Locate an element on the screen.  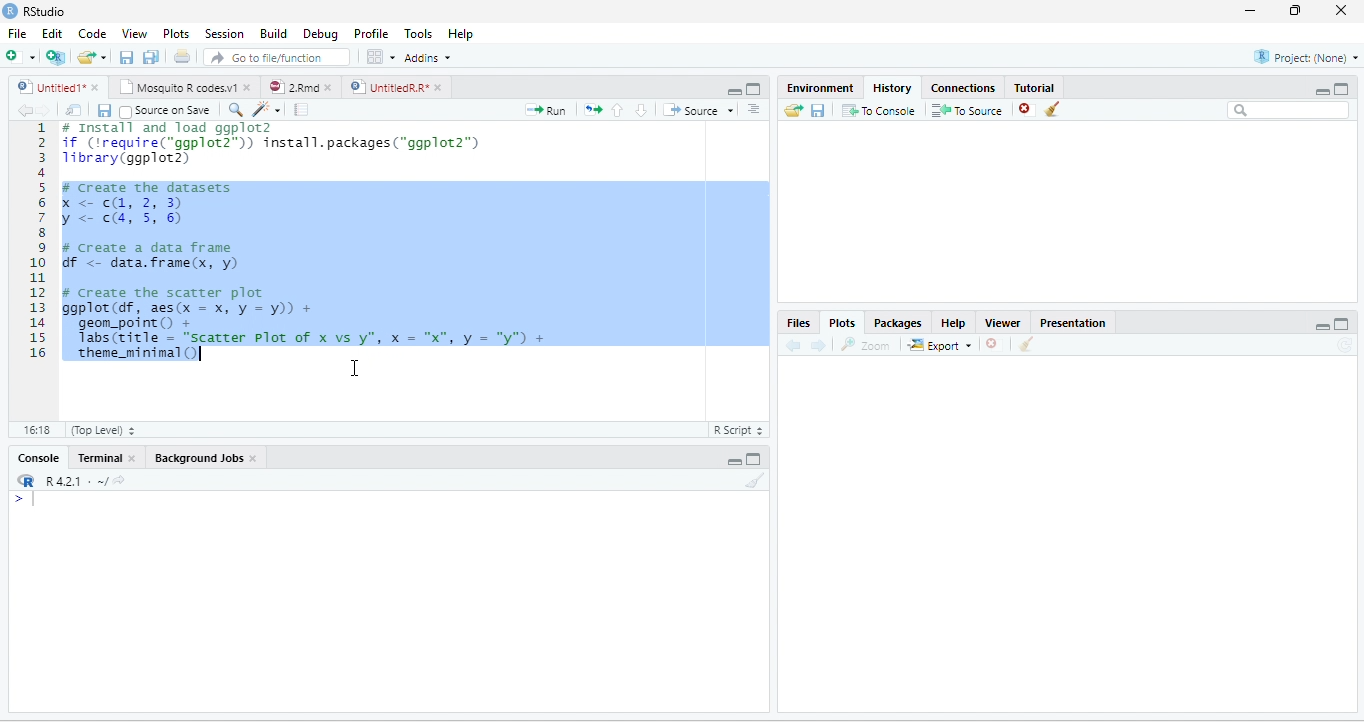
Show document outline is located at coordinates (754, 108).